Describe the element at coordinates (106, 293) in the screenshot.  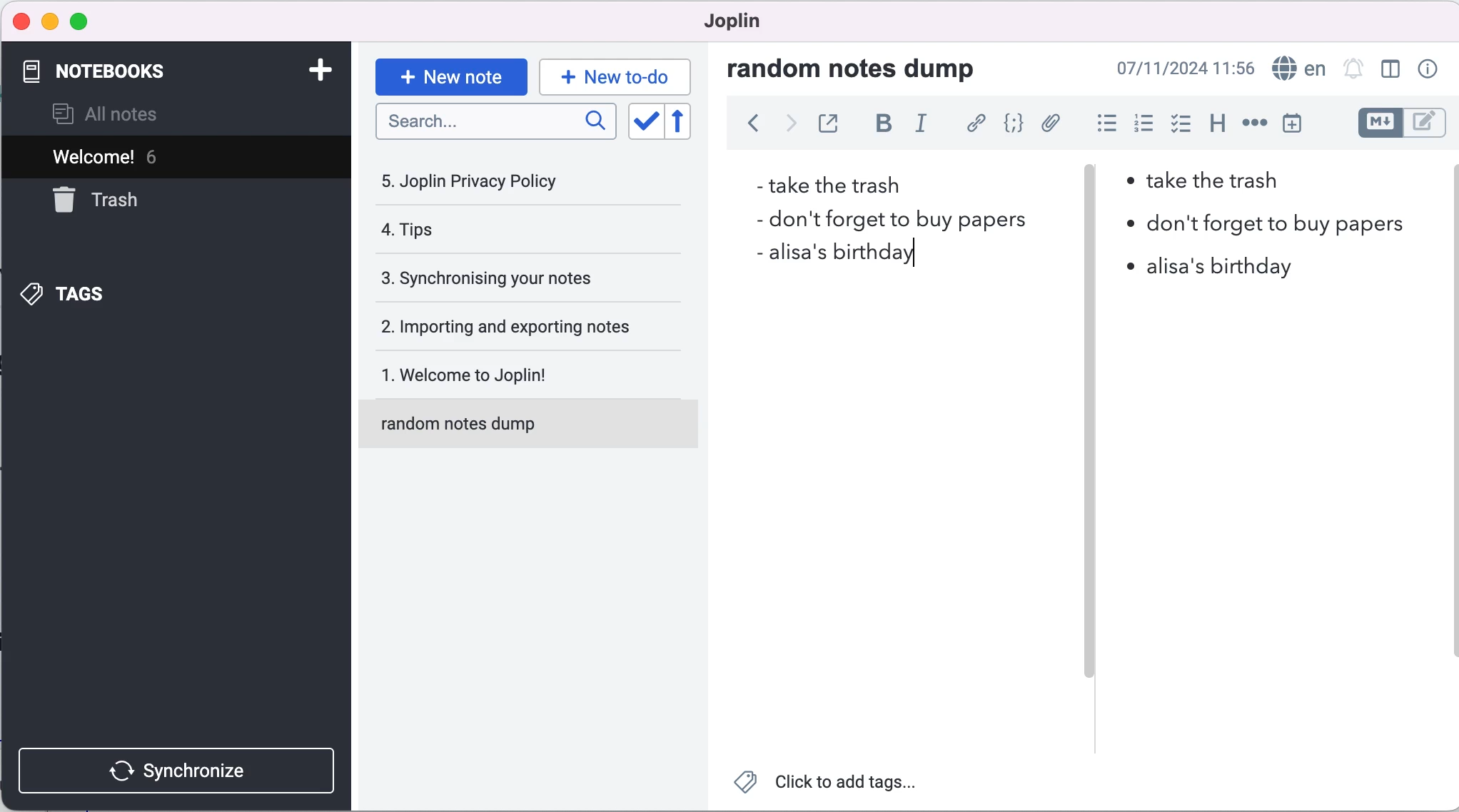
I see `tags` at that location.